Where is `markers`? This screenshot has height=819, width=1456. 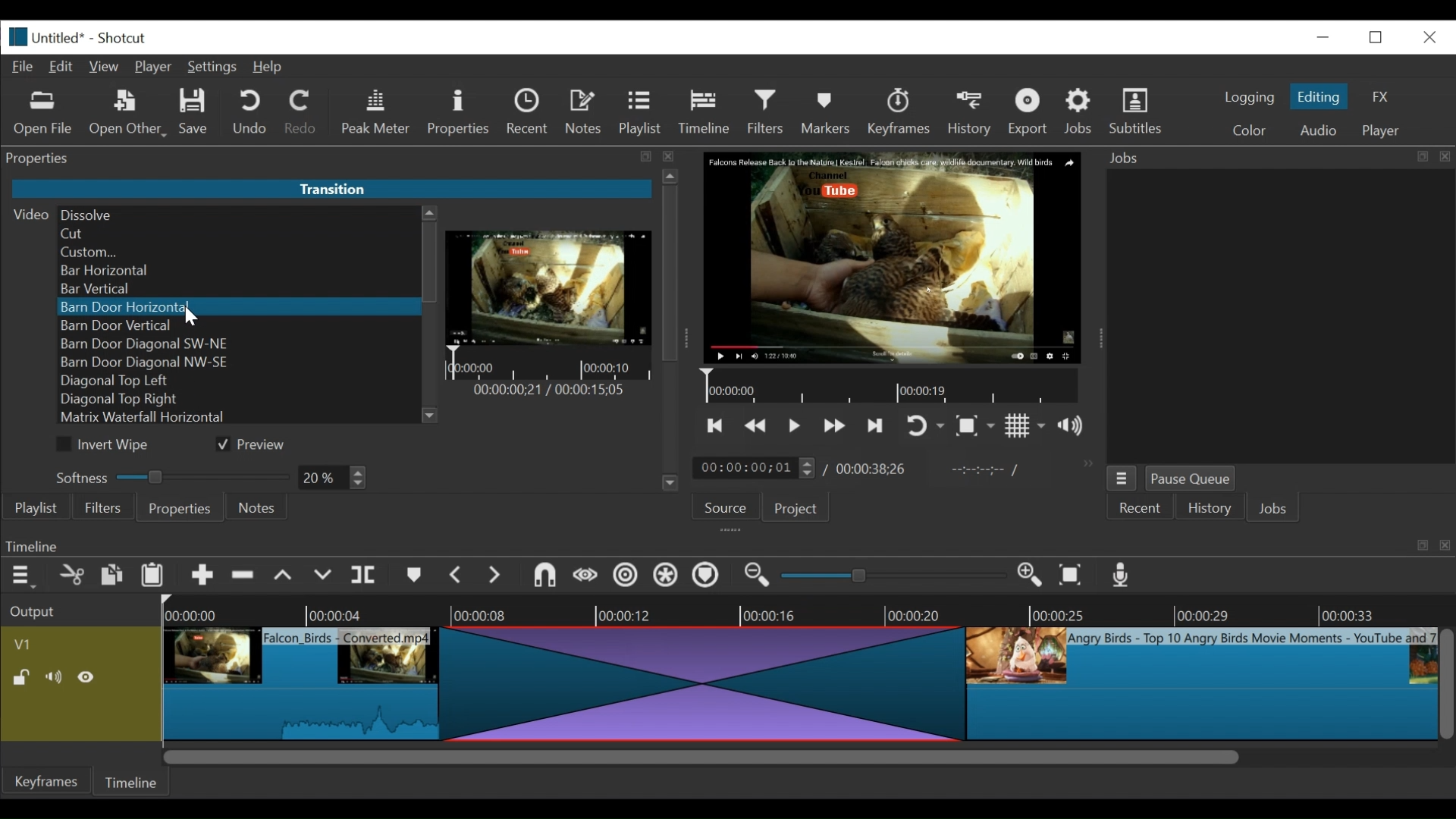
markers is located at coordinates (413, 579).